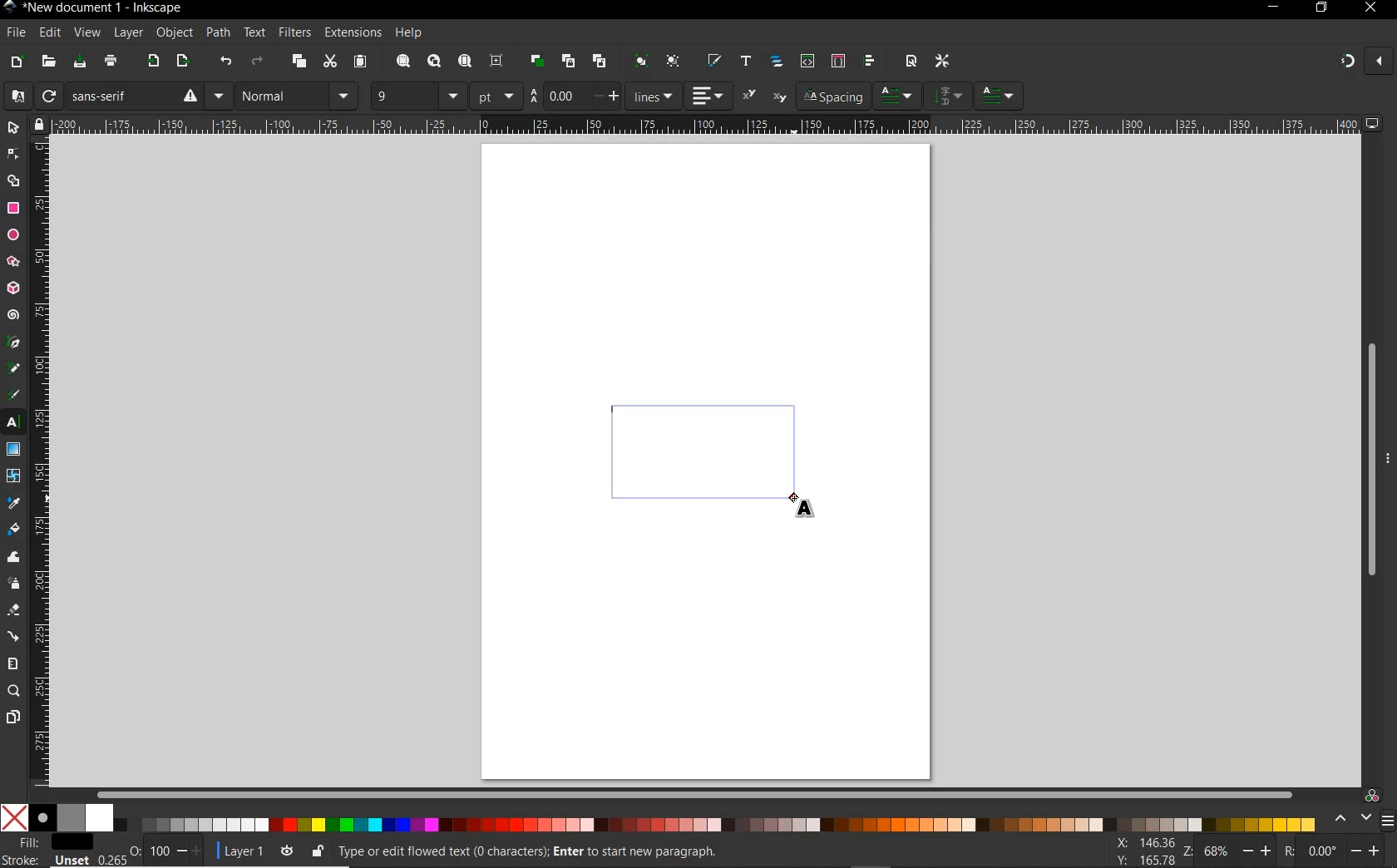 This screenshot has height=868, width=1397. I want to click on ruler, so click(705, 124).